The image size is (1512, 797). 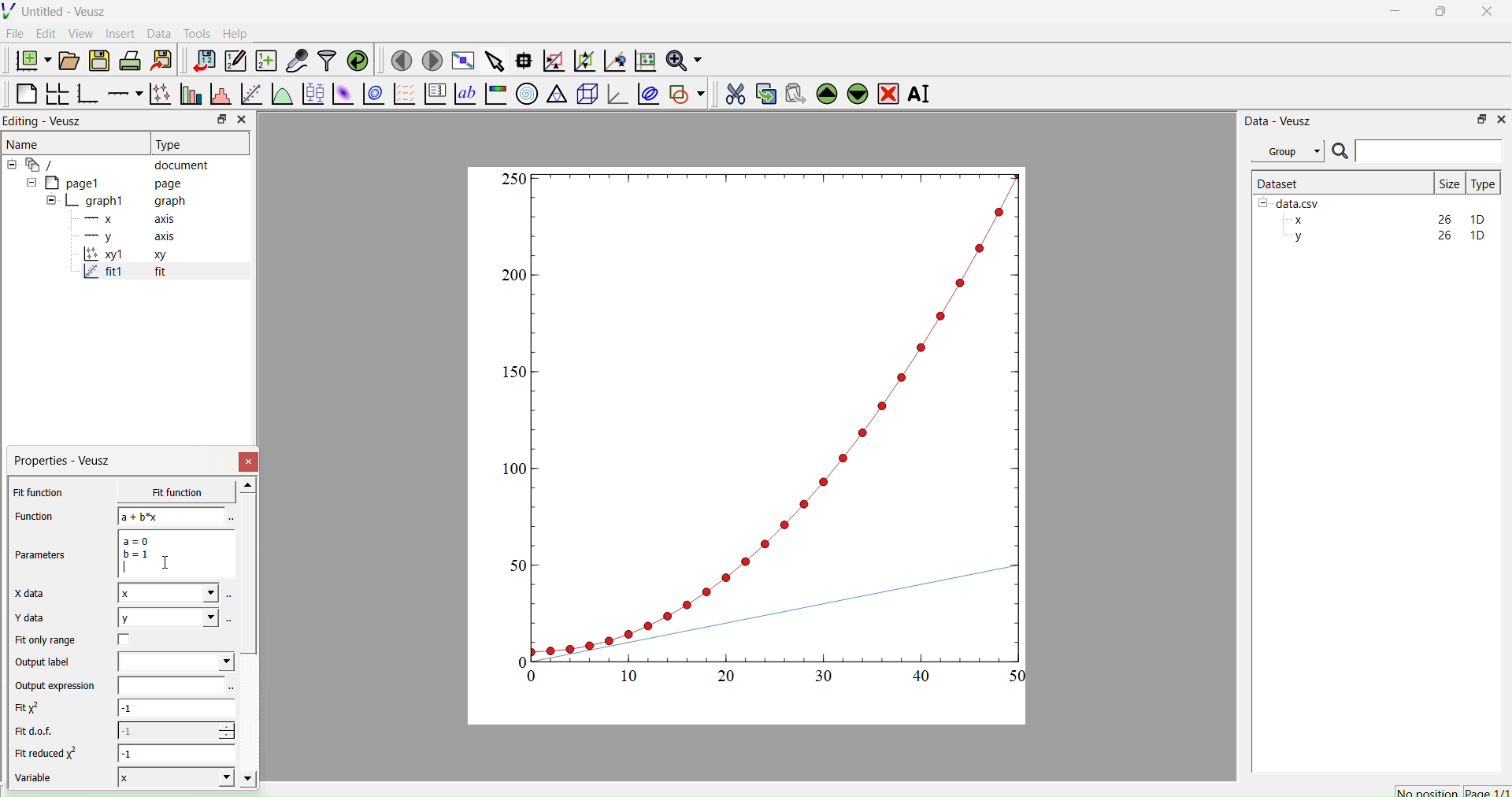 I want to click on New Document, so click(x=29, y=58).